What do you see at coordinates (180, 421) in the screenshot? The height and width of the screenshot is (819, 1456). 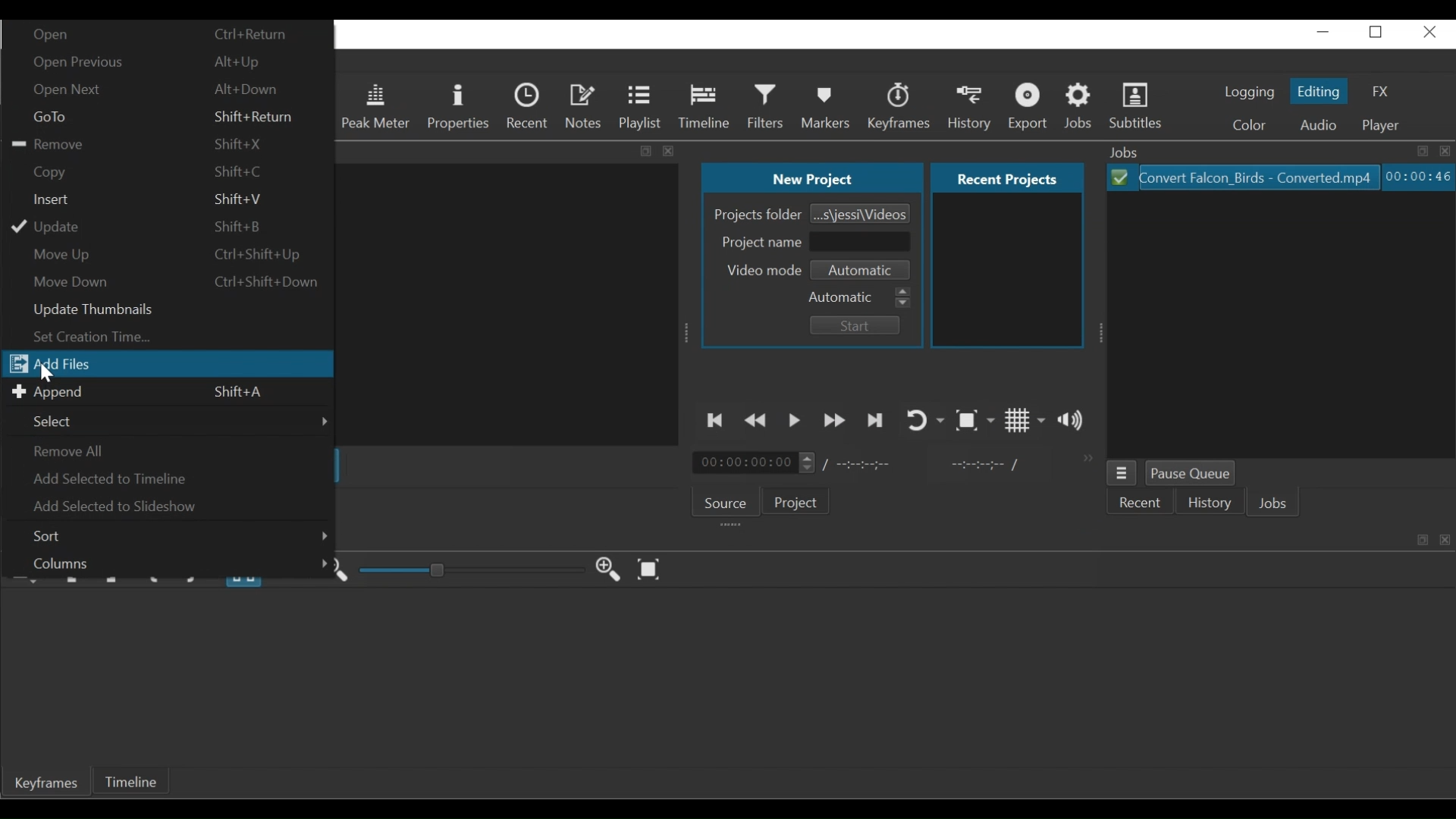 I see `Select` at bounding box center [180, 421].